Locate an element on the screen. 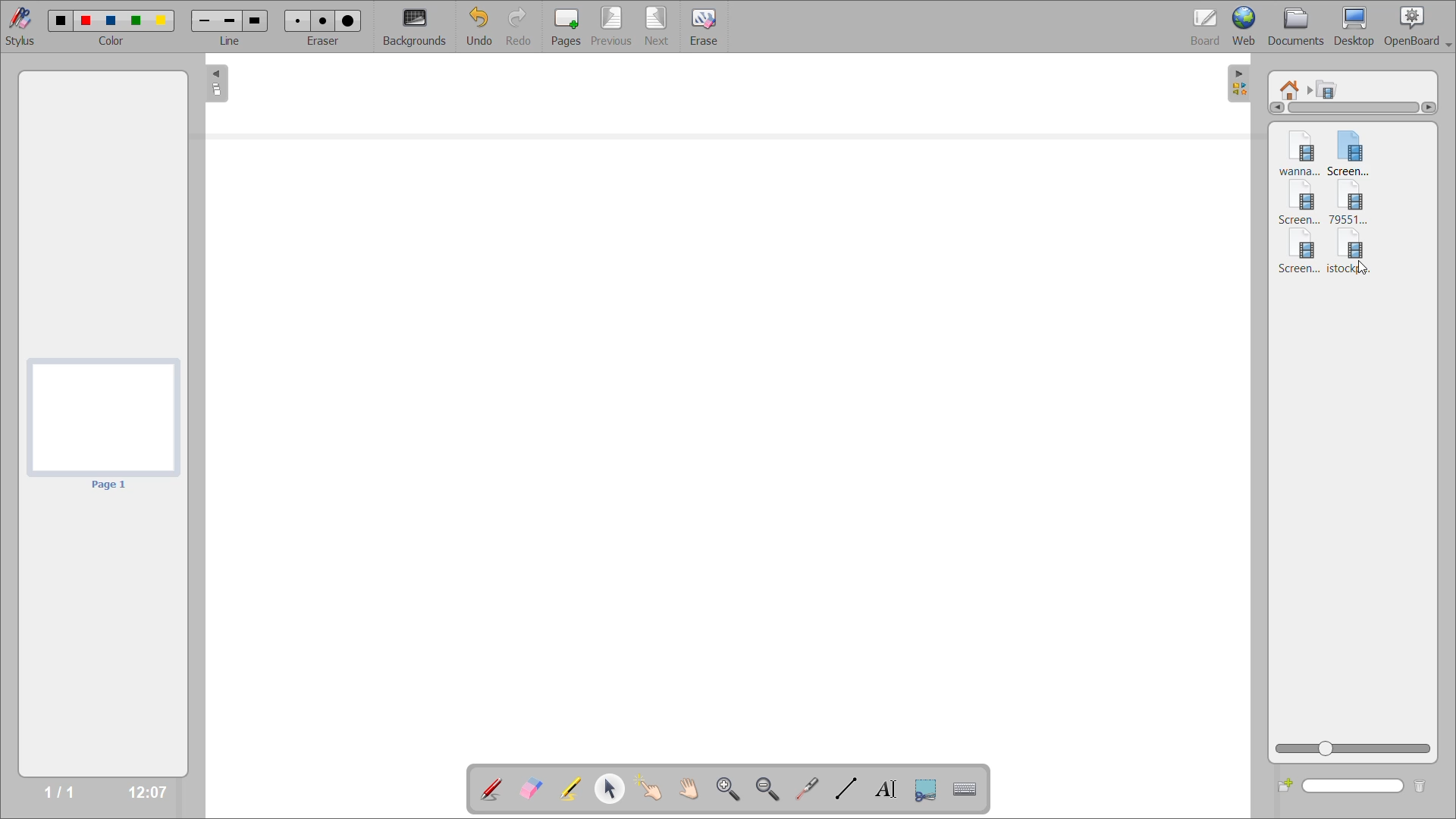 This screenshot has width=1456, height=819. interact with items is located at coordinates (654, 792).